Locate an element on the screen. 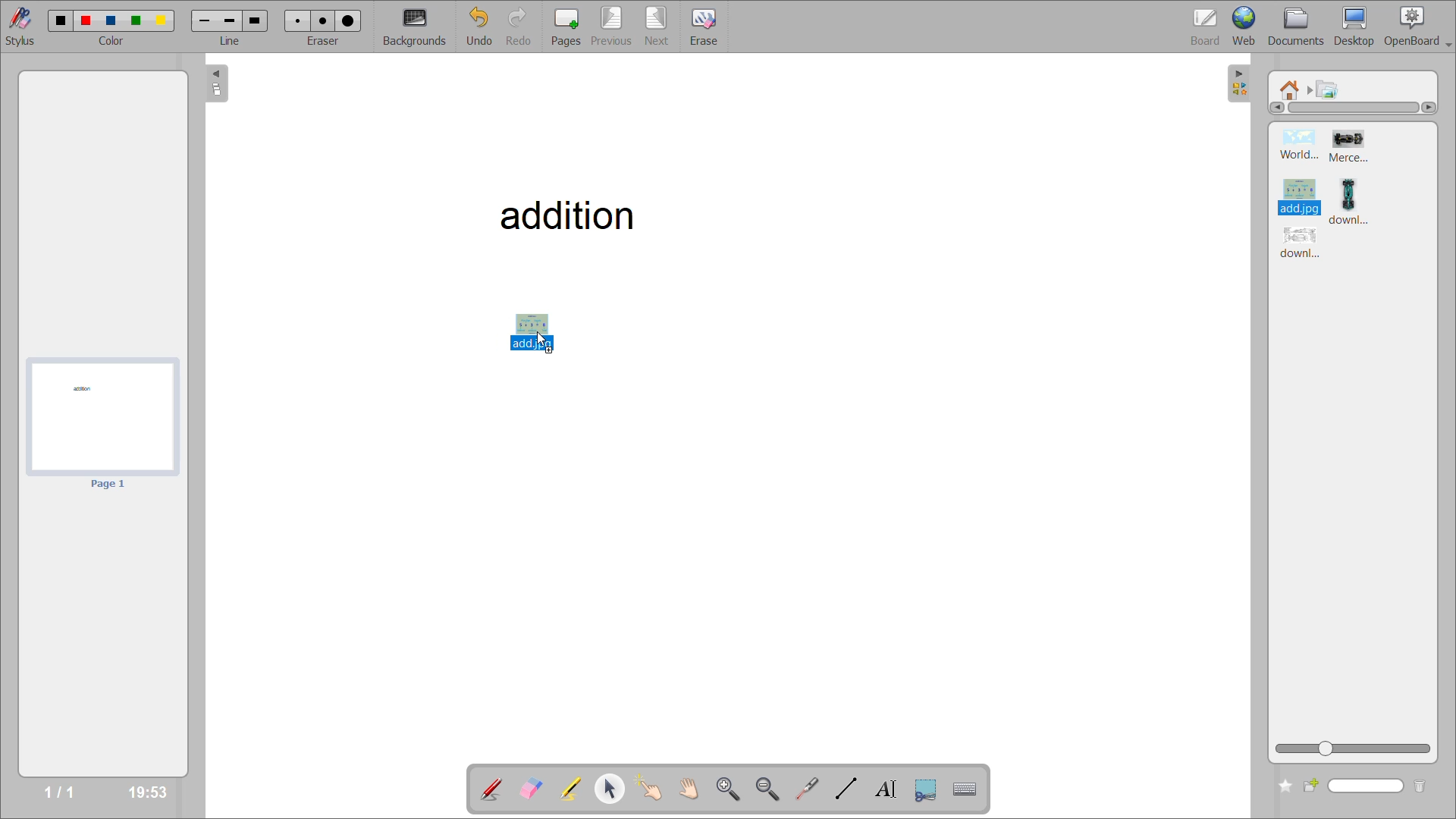 The image size is (1456, 819). image selected is located at coordinates (1301, 197).